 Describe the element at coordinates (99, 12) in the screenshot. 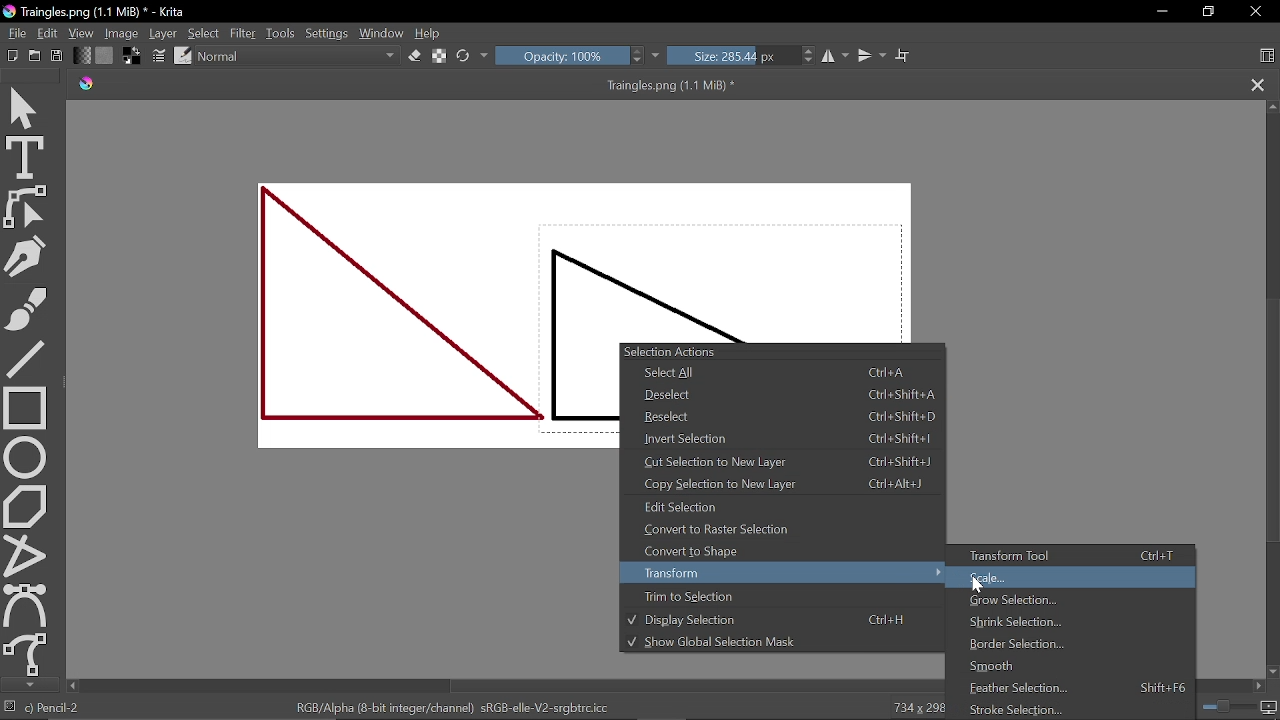

I see `Traingles.png (1.1 MiB) * - Krita` at that location.